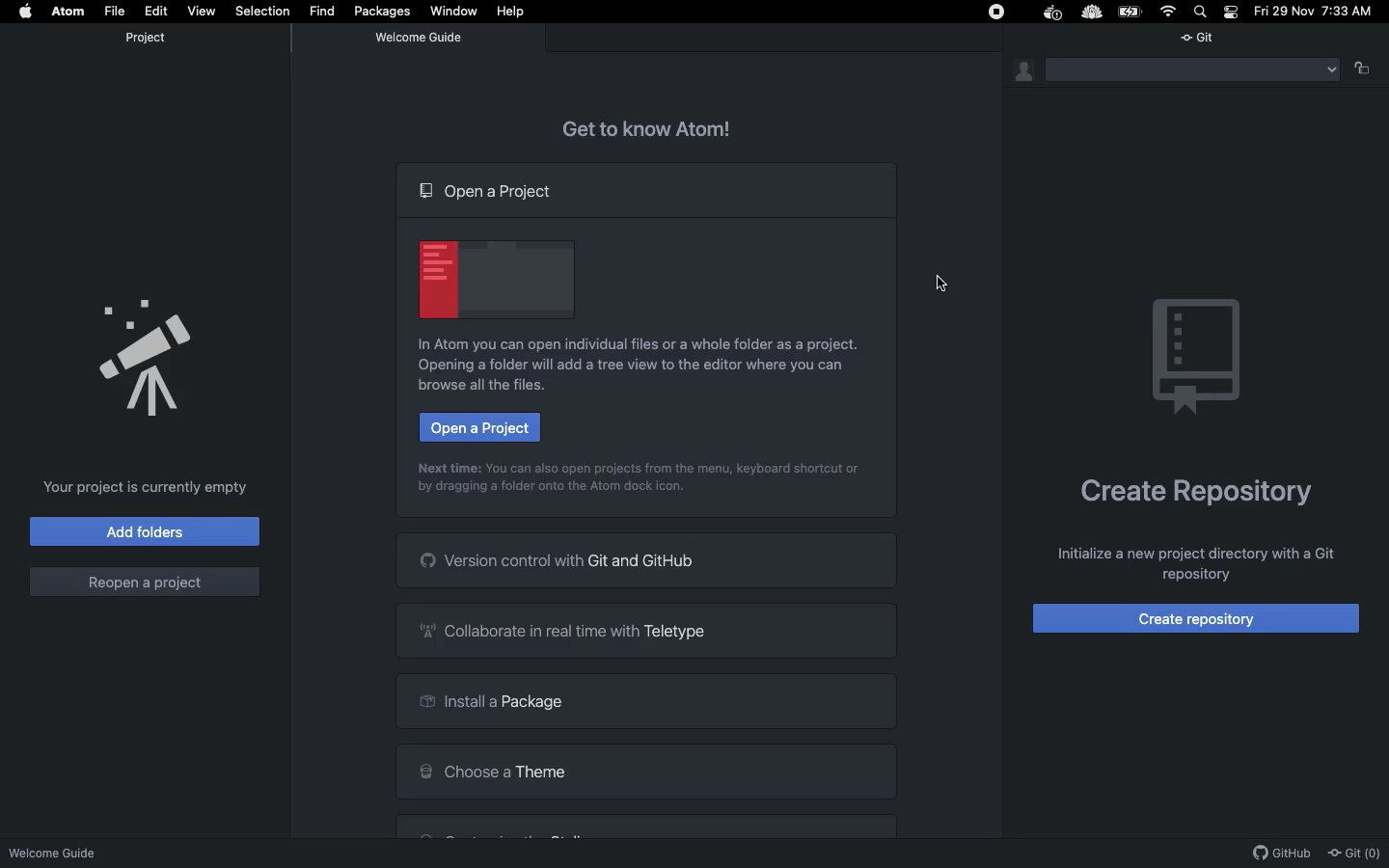 This screenshot has height=868, width=1389. What do you see at coordinates (144, 583) in the screenshot?
I see `Reopen a project ` at bounding box center [144, 583].